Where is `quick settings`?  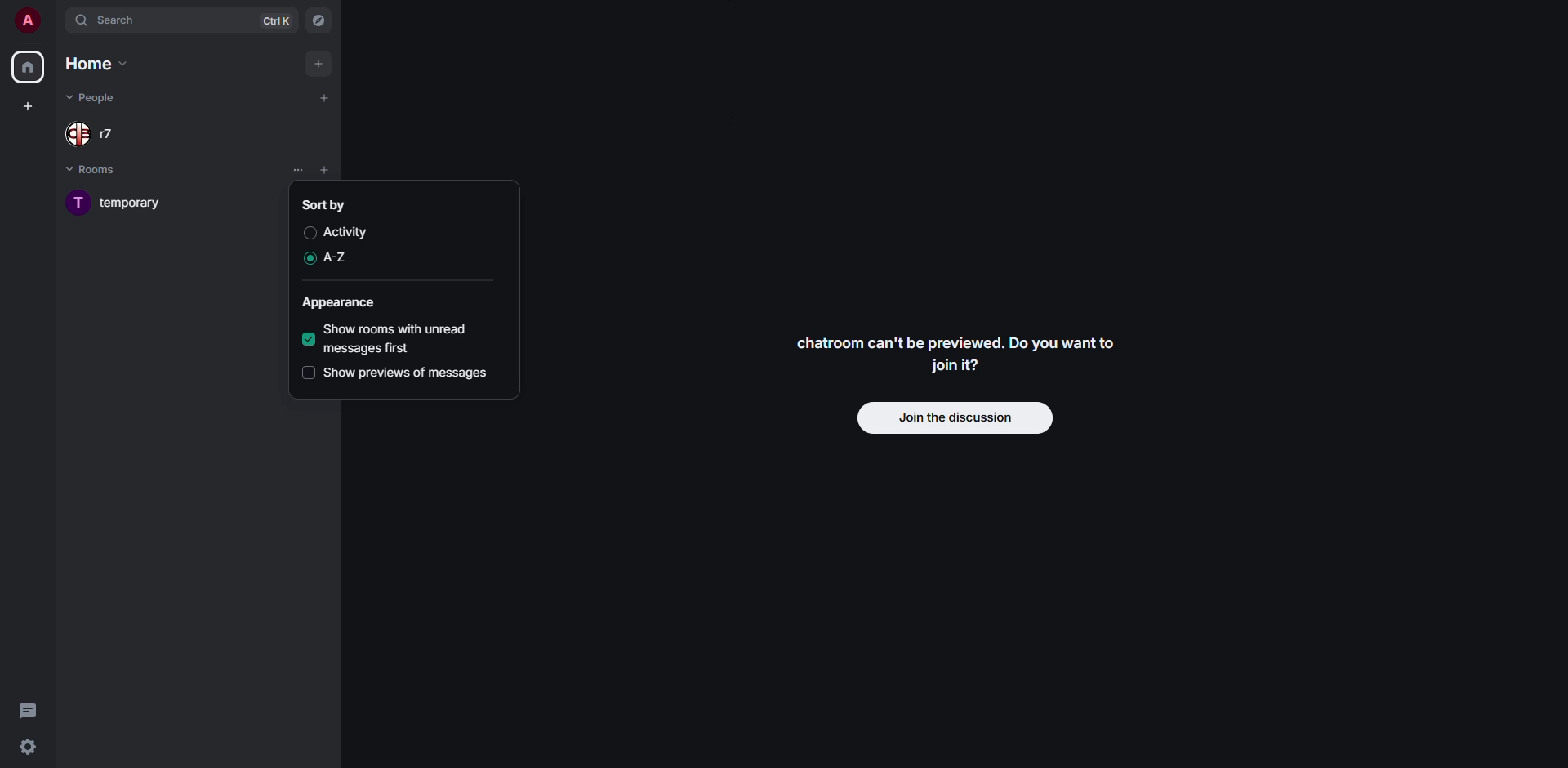
quick settings is located at coordinates (28, 748).